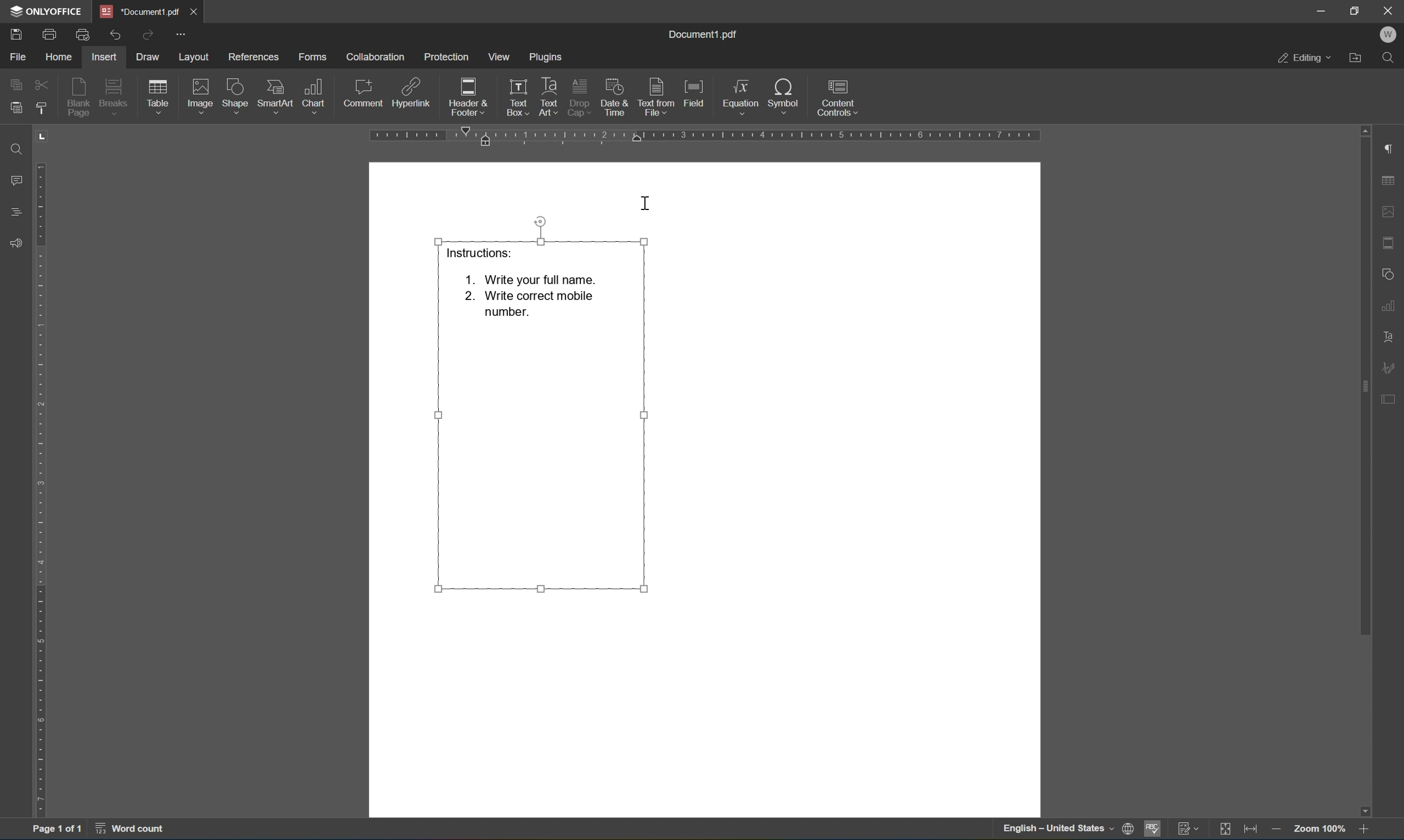  Describe the element at coordinates (50, 35) in the screenshot. I see `Print` at that location.